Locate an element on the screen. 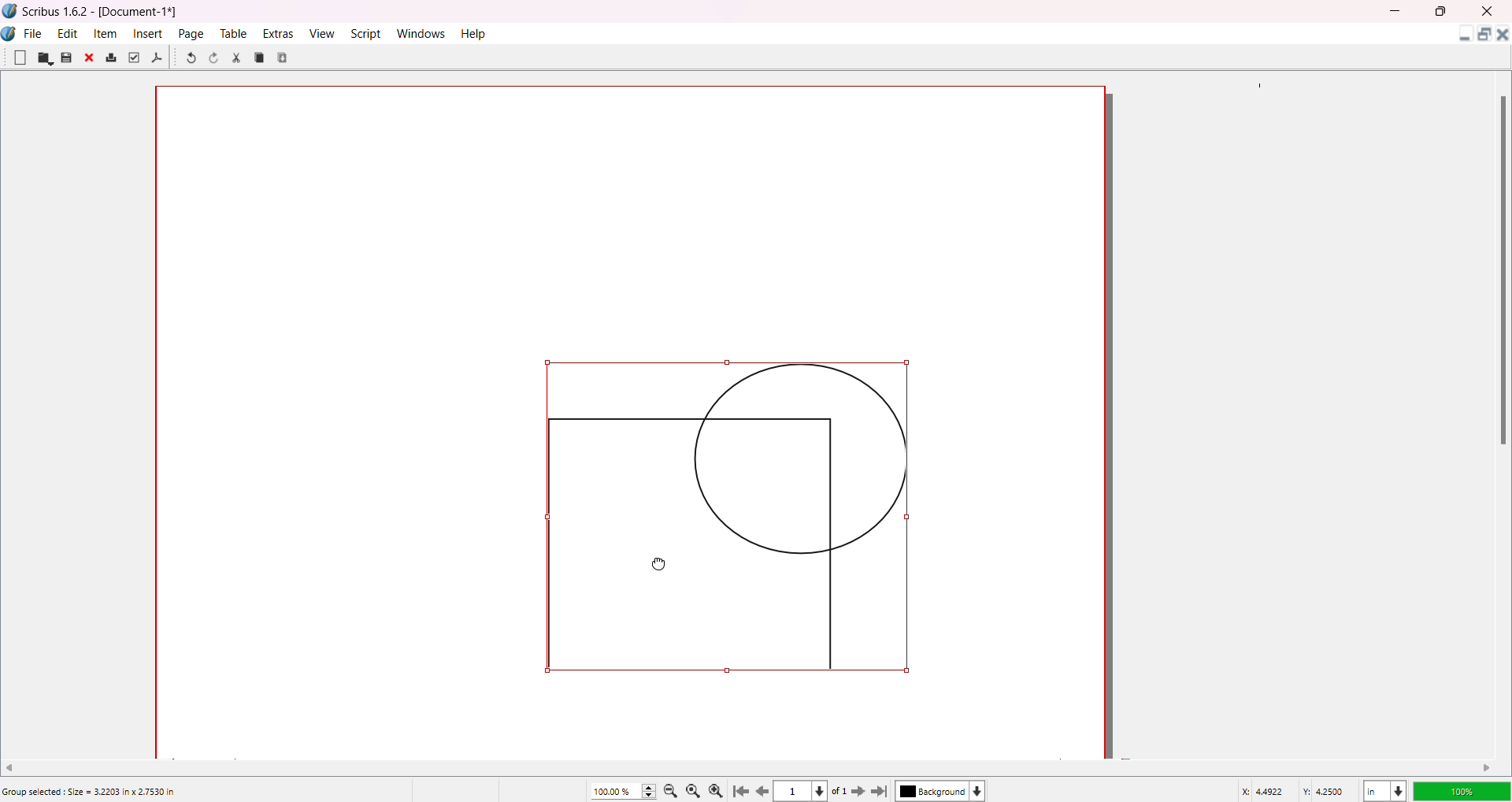  Move right is located at coordinates (1488, 767).